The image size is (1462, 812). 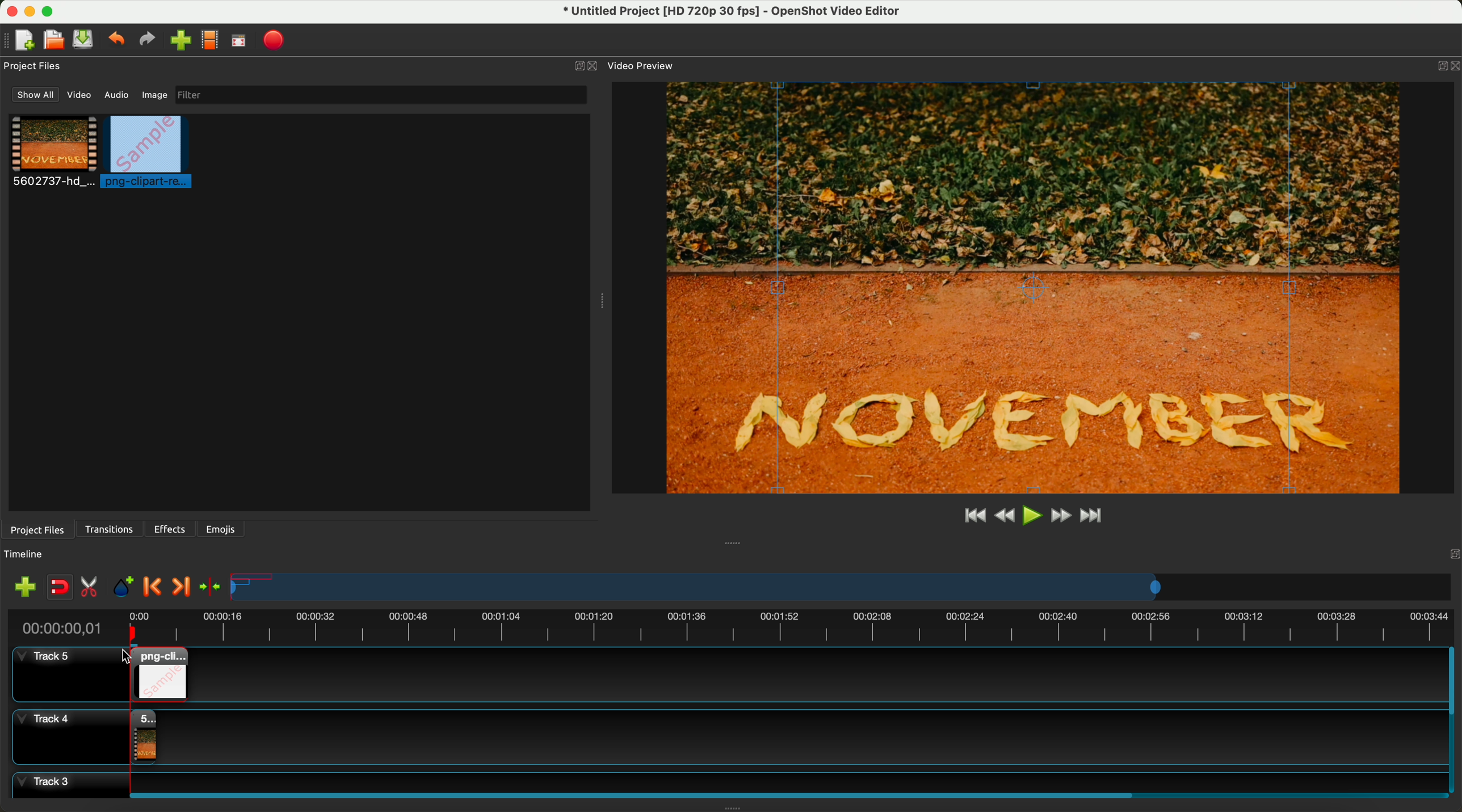 What do you see at coordinates (81, 97) in the screenshot?
I see `video` at bounding box center [81, 97].